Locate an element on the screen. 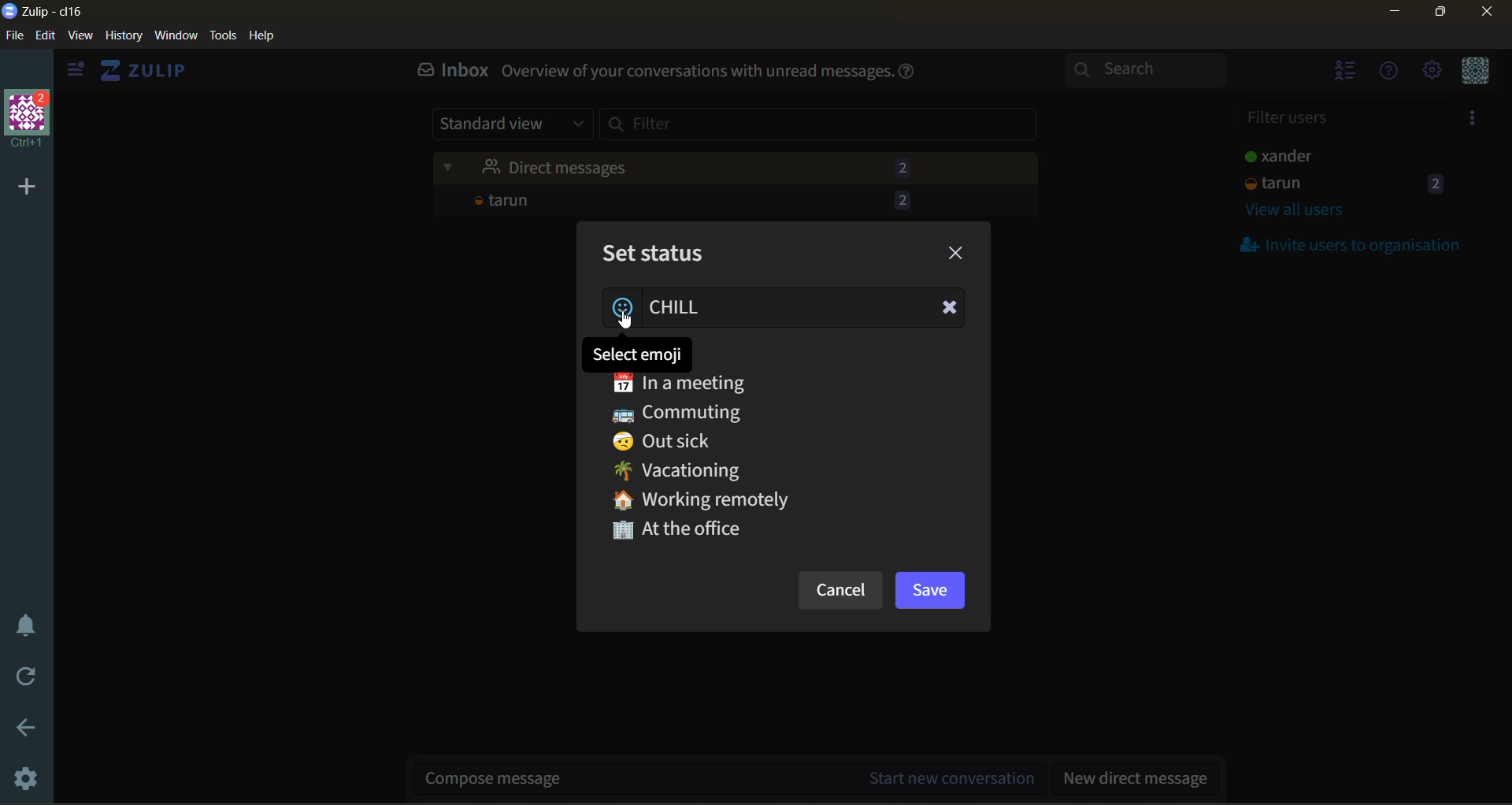 The height and width of the screenshot is (805, 1512). hide users list is located at coordinates (1340, 75).